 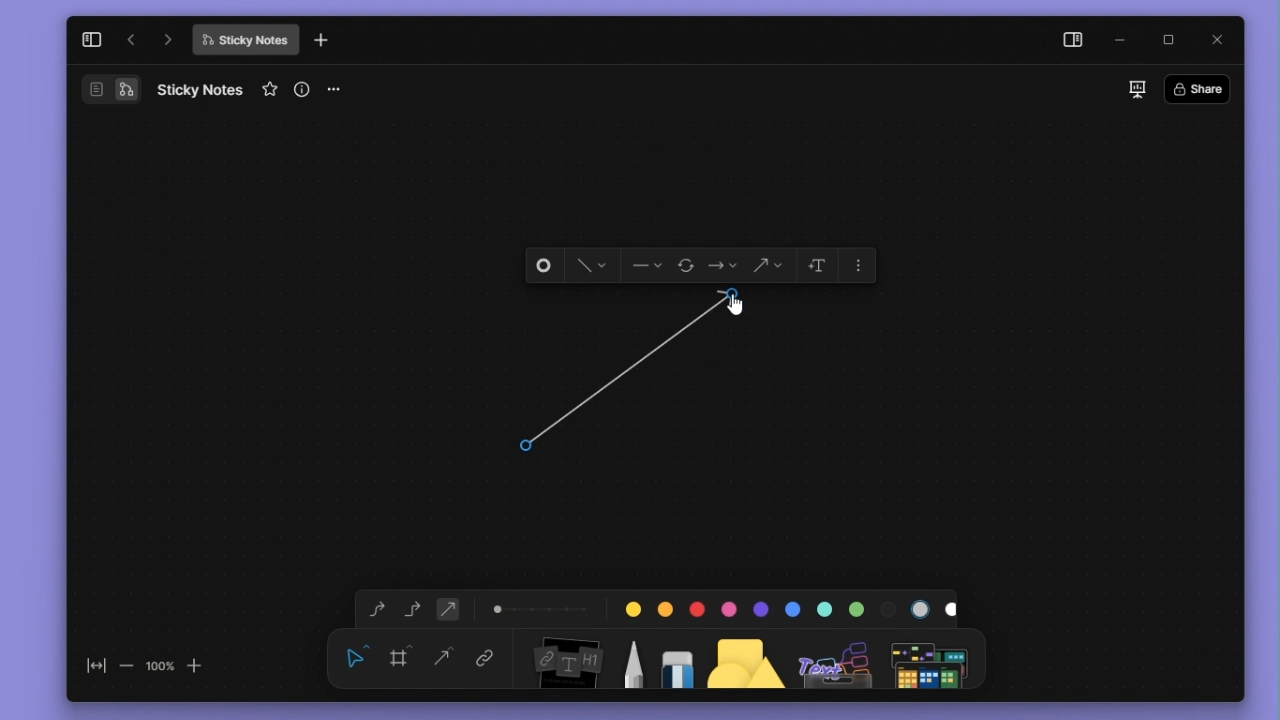 What do you see at coordinates (304, 89) in the screenshot?
I see `view info` at bounding box center [304, 89].